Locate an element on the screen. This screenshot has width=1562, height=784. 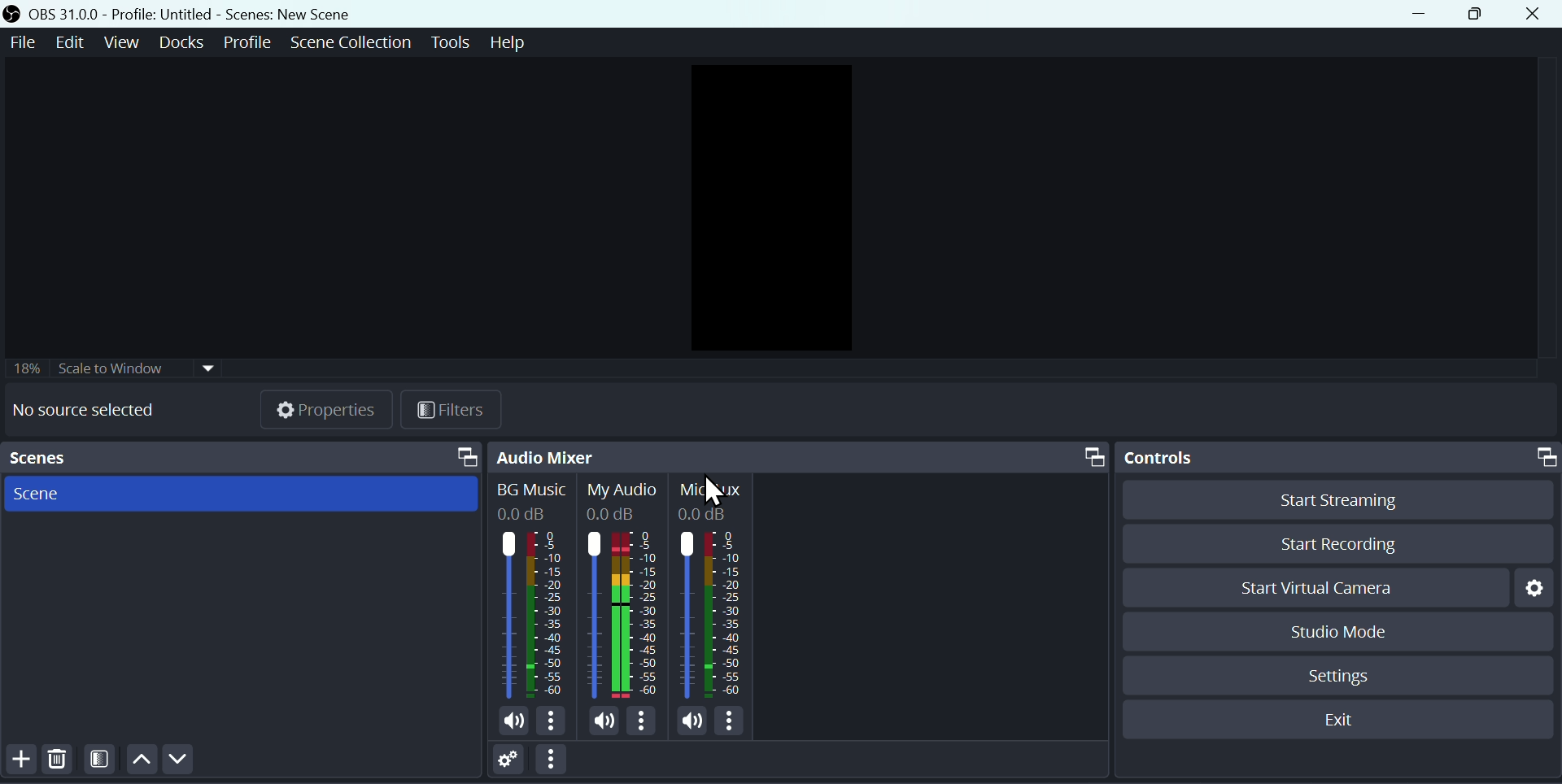
 My audio is located at coordinates (625, 486).